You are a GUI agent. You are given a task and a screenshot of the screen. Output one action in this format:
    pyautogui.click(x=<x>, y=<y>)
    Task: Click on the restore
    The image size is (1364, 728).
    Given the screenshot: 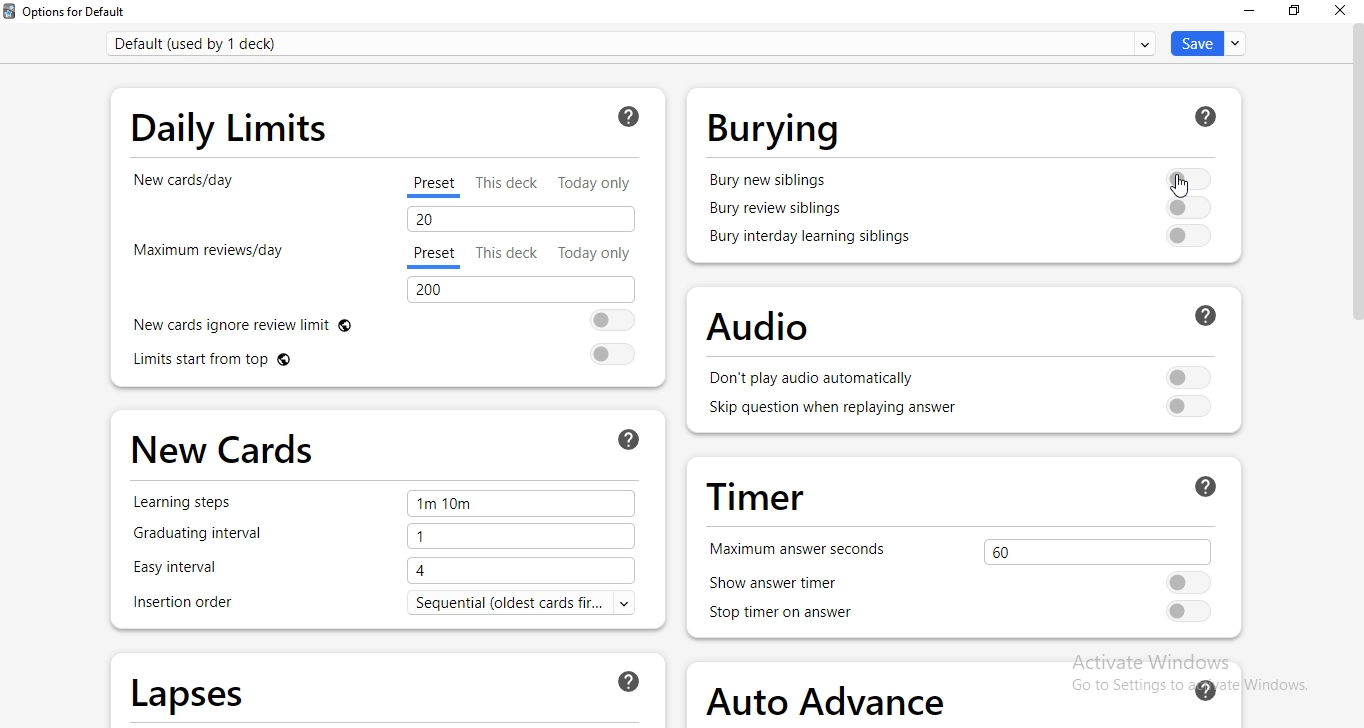 What is the action you would take?
    pyautogui.click(x=1297, y=12)
    